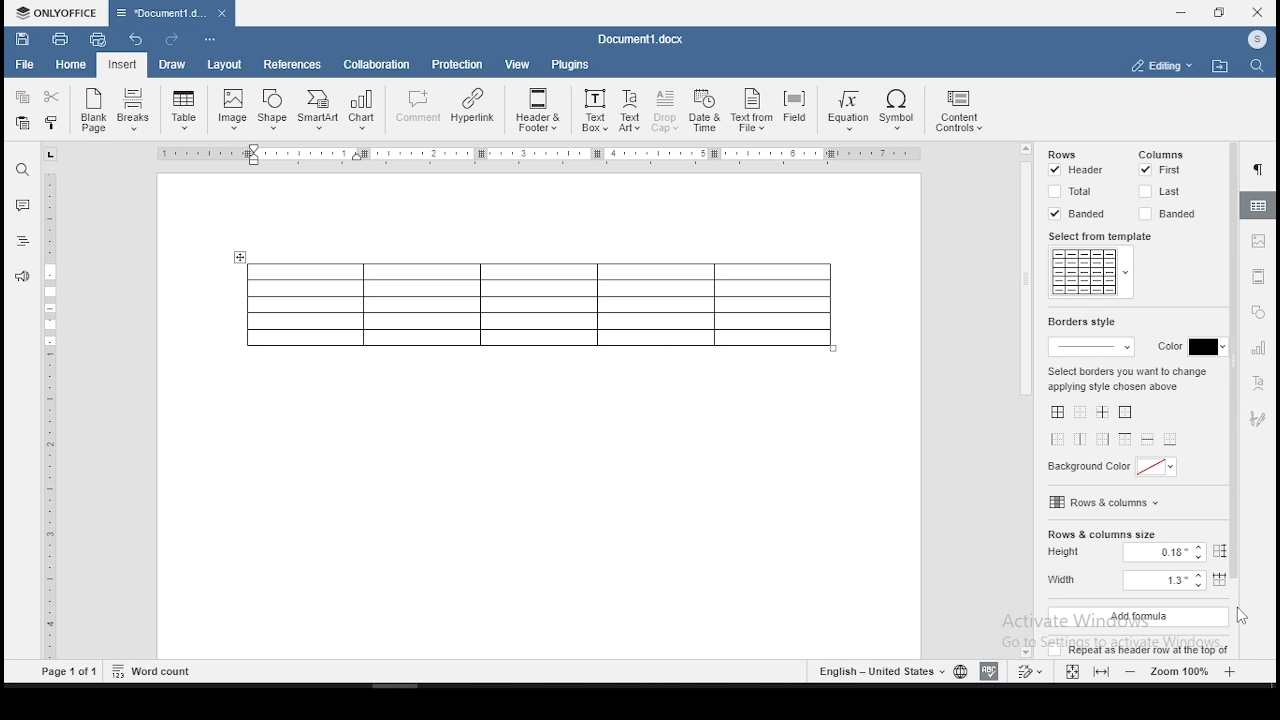  What do you see at coordinates (1256, 41) in the screenshot?
I see `ICON` at bounding box center [1256, 41].